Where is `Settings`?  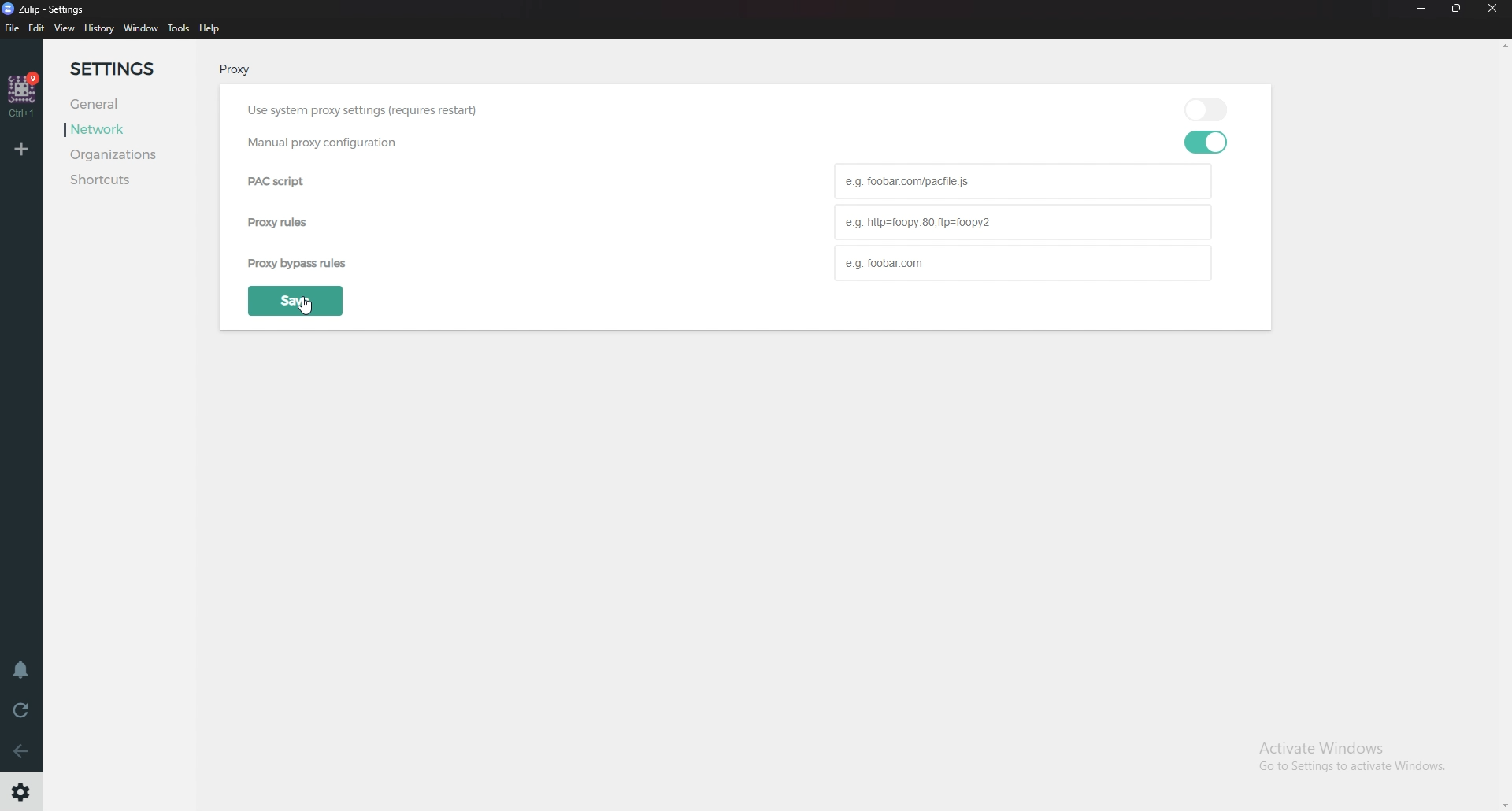
Settings is located at coordinates (22, 792).